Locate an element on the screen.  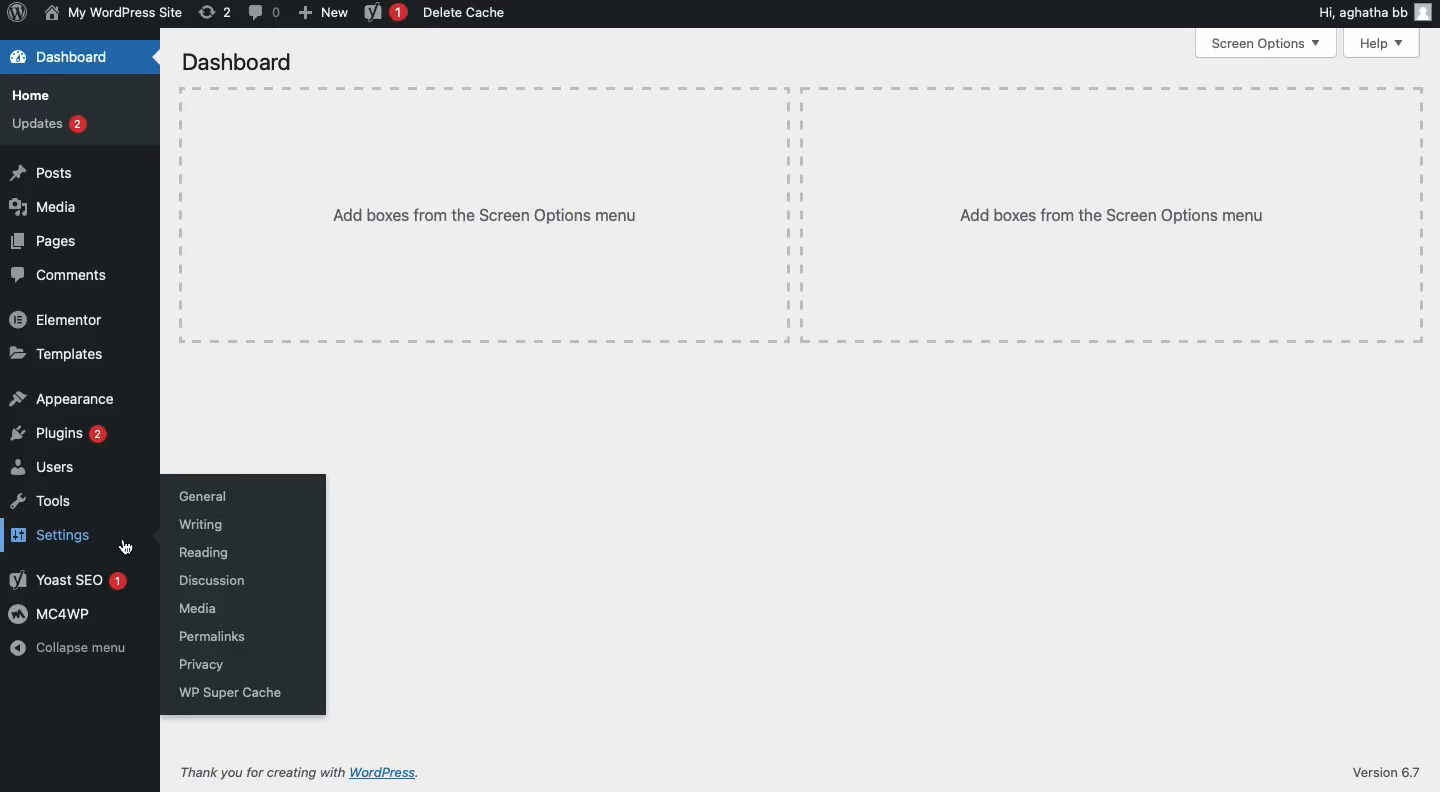
New is located at coordinates (323, 12).